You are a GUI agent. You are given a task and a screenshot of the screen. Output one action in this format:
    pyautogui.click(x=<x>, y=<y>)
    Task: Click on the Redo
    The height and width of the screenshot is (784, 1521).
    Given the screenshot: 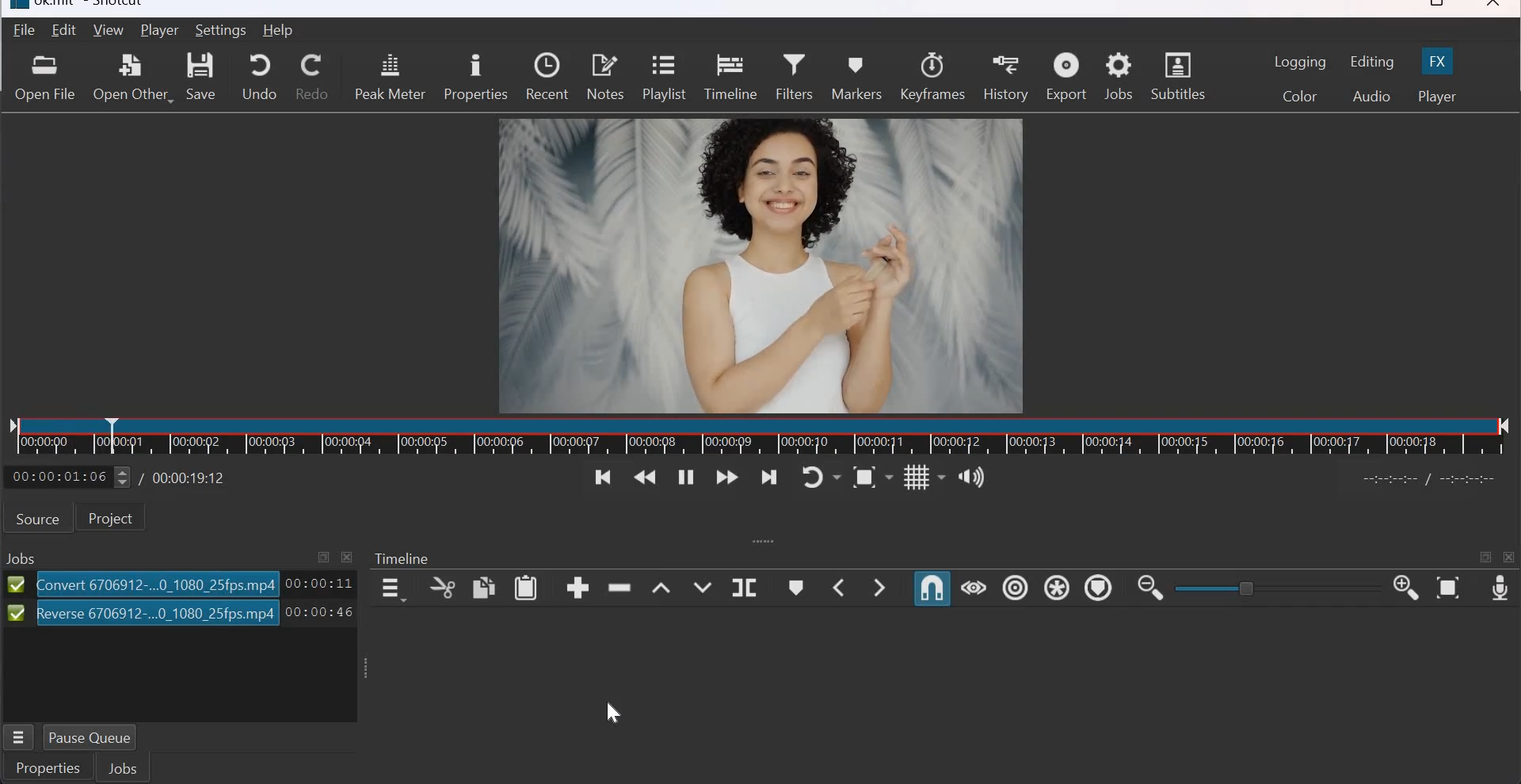 What is the action you would take?
    pyautogui.click(x=312, y=77)
    